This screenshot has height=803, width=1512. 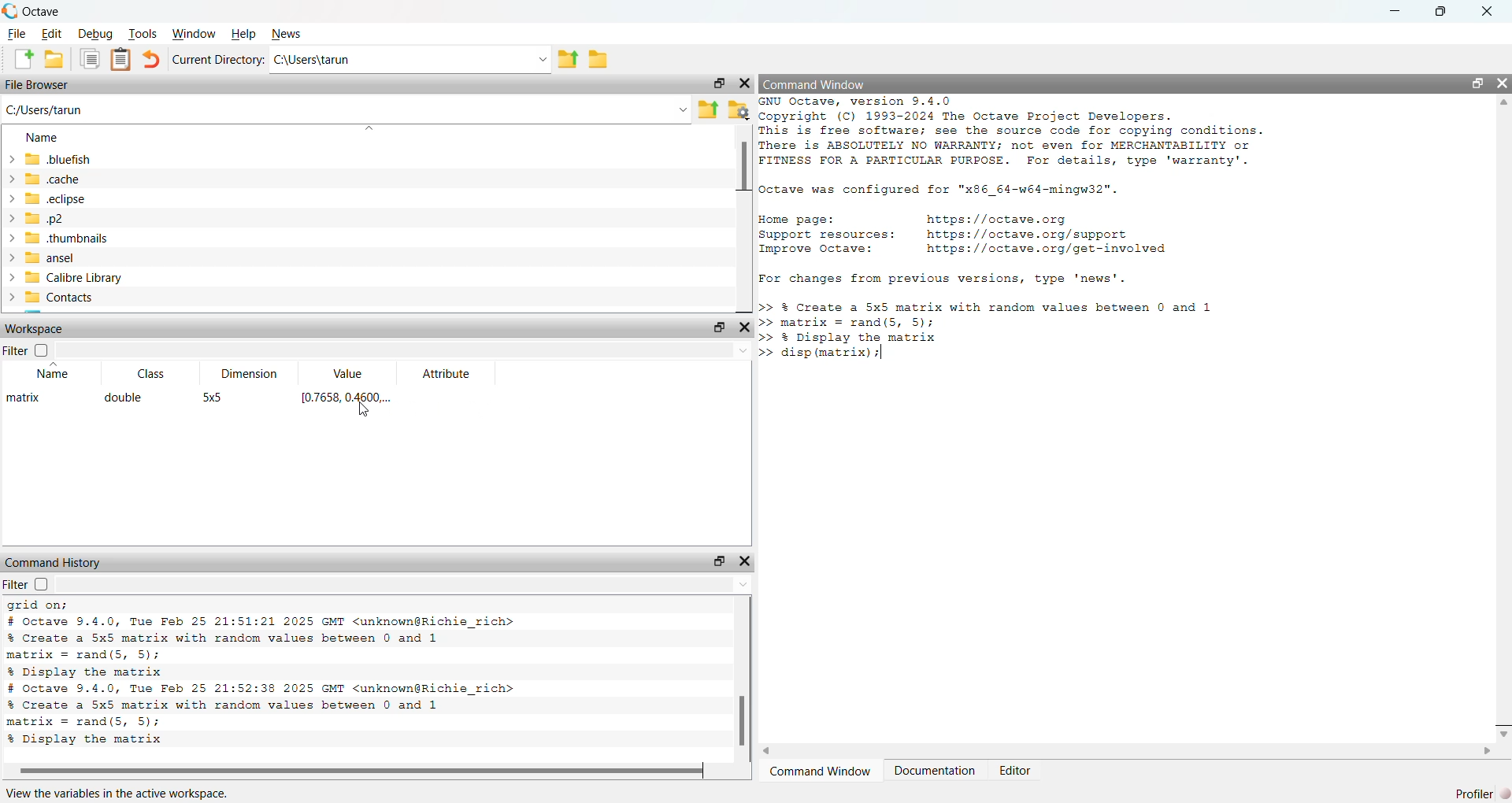 I want to click on copy, so click(x=90, y=59).